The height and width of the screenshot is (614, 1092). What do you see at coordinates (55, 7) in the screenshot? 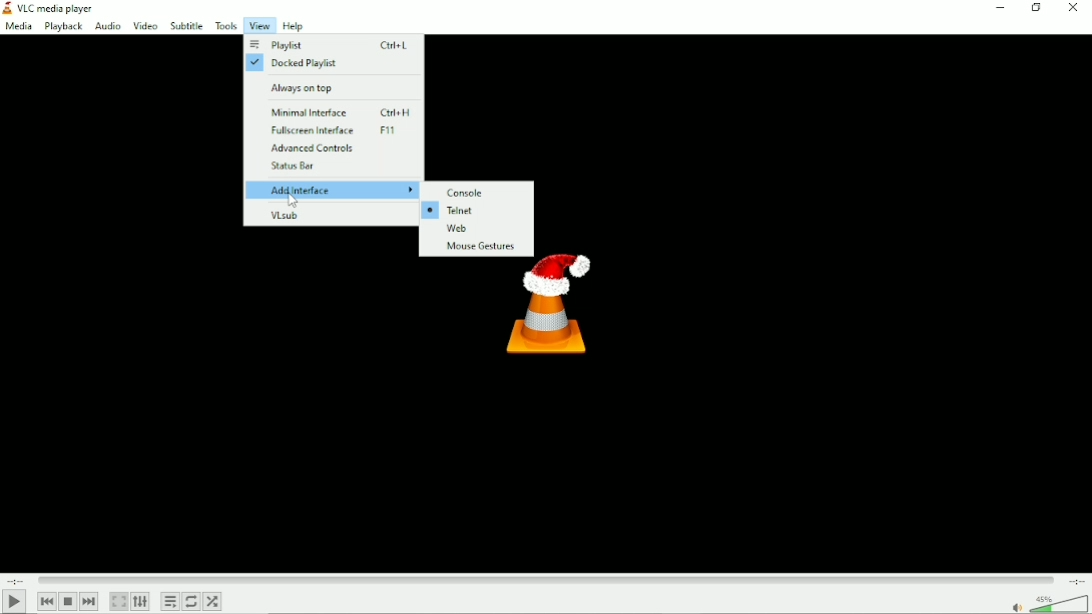
I see `VLC media player` at bounding box center [55, 7].